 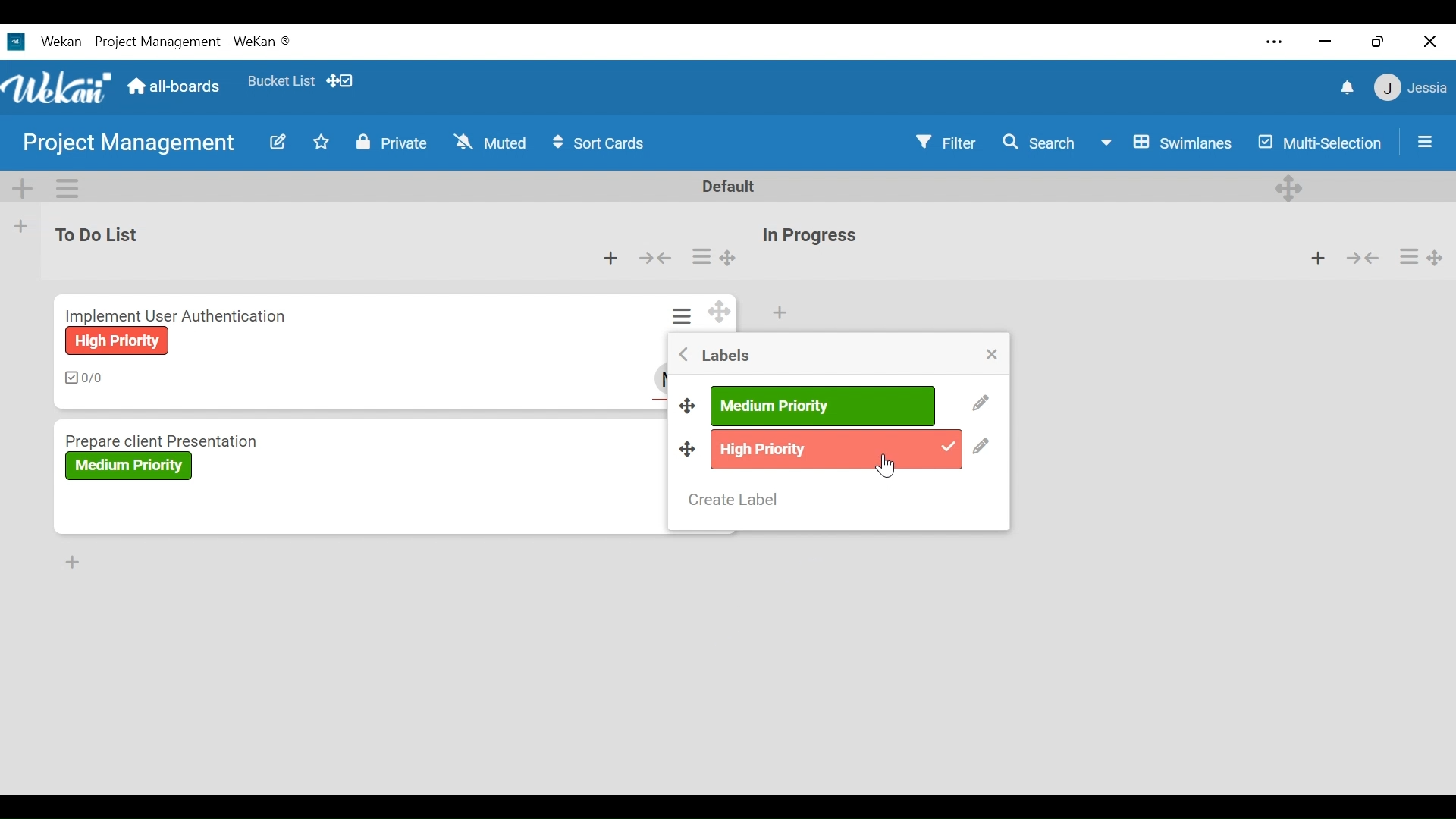 I want to click on Default, so click(x=730, y=187).